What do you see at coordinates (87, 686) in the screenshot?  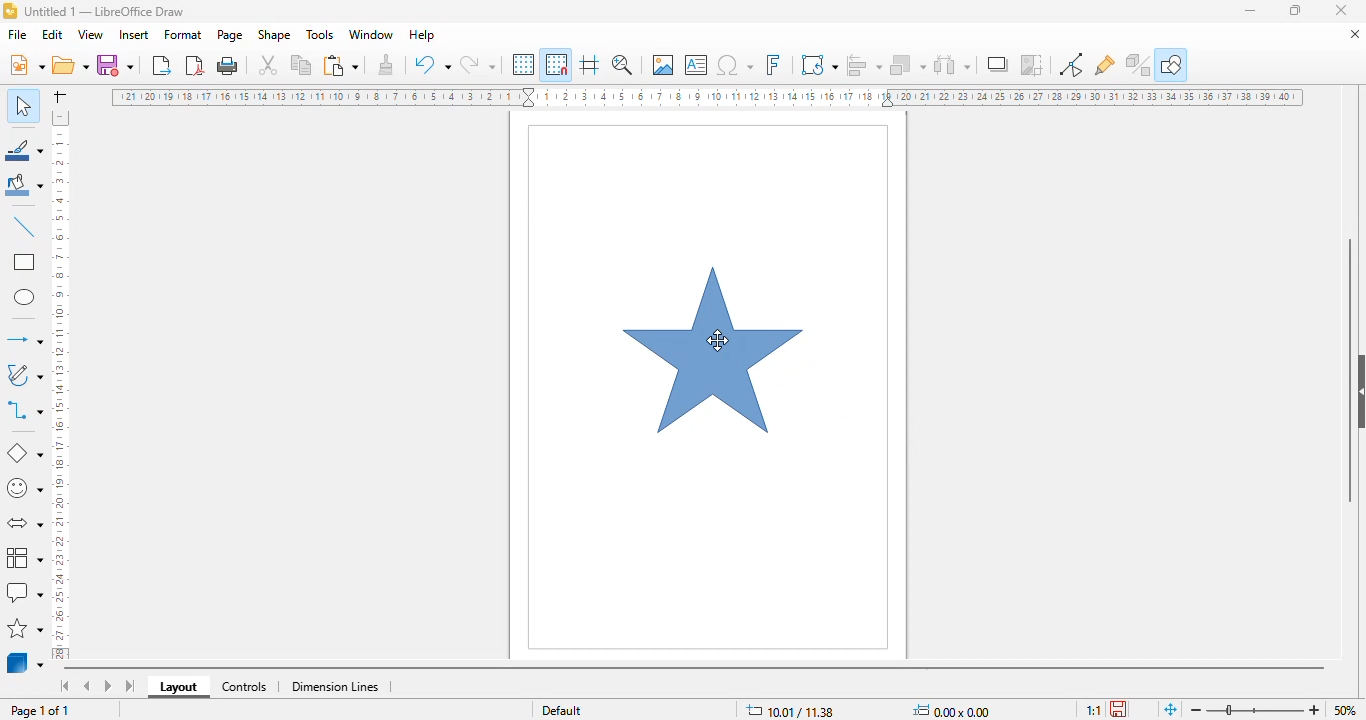 I see `scroll to previous sheet` at bounding box center [87, 686].